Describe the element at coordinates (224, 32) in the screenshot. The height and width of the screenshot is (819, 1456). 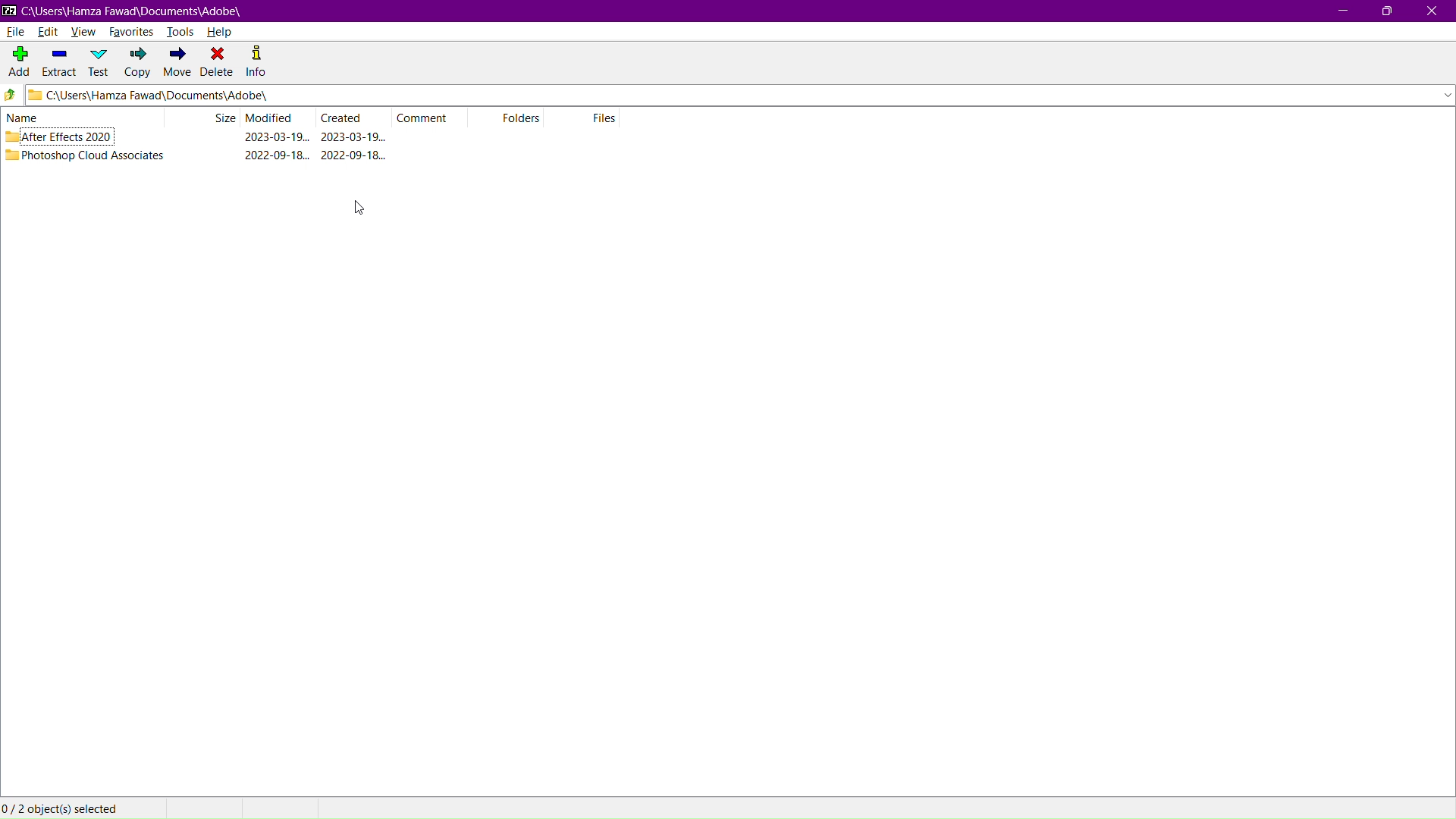
I see `Help` at that location.